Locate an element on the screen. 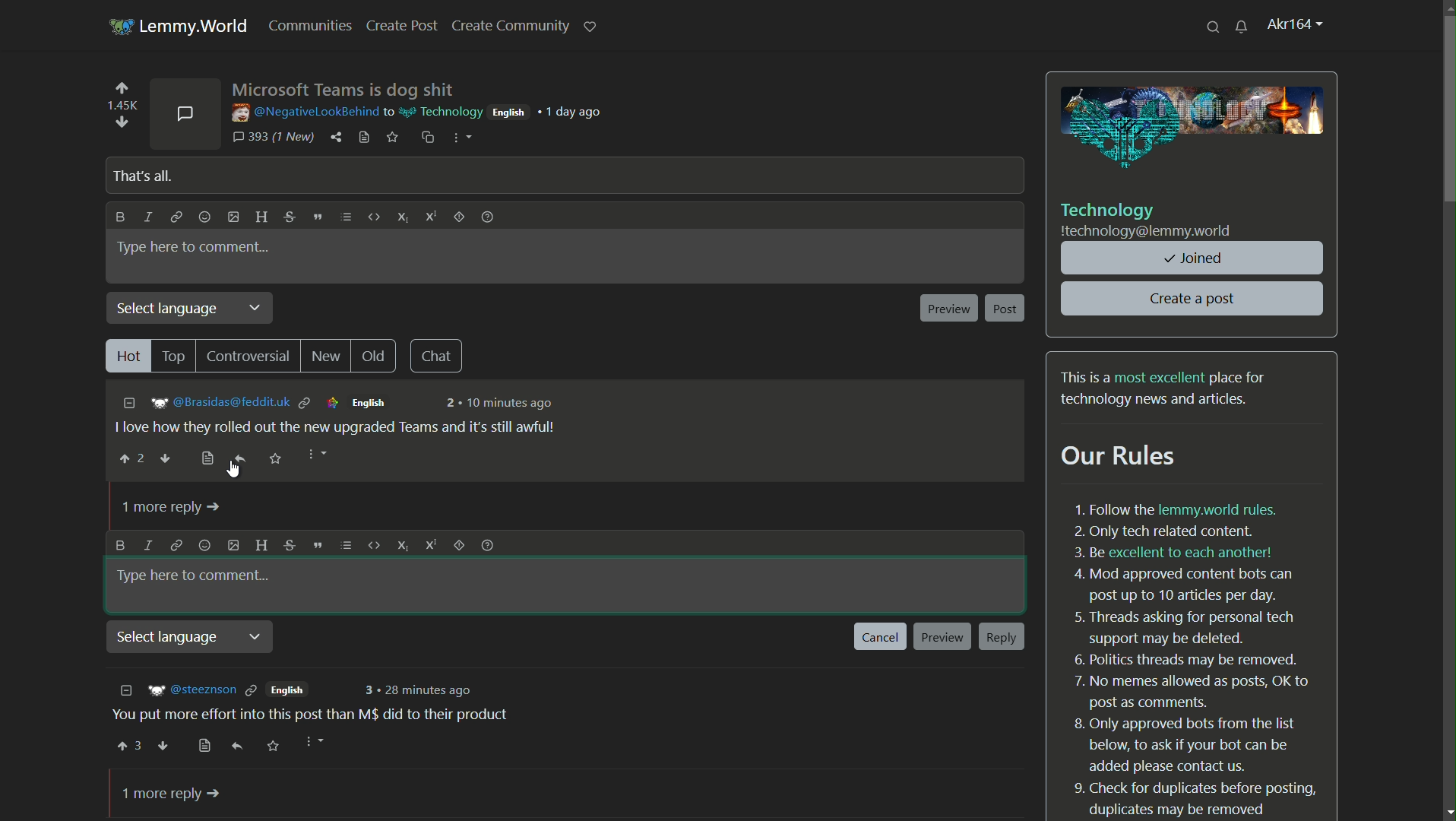  preview is located at coordinates (948, 309).